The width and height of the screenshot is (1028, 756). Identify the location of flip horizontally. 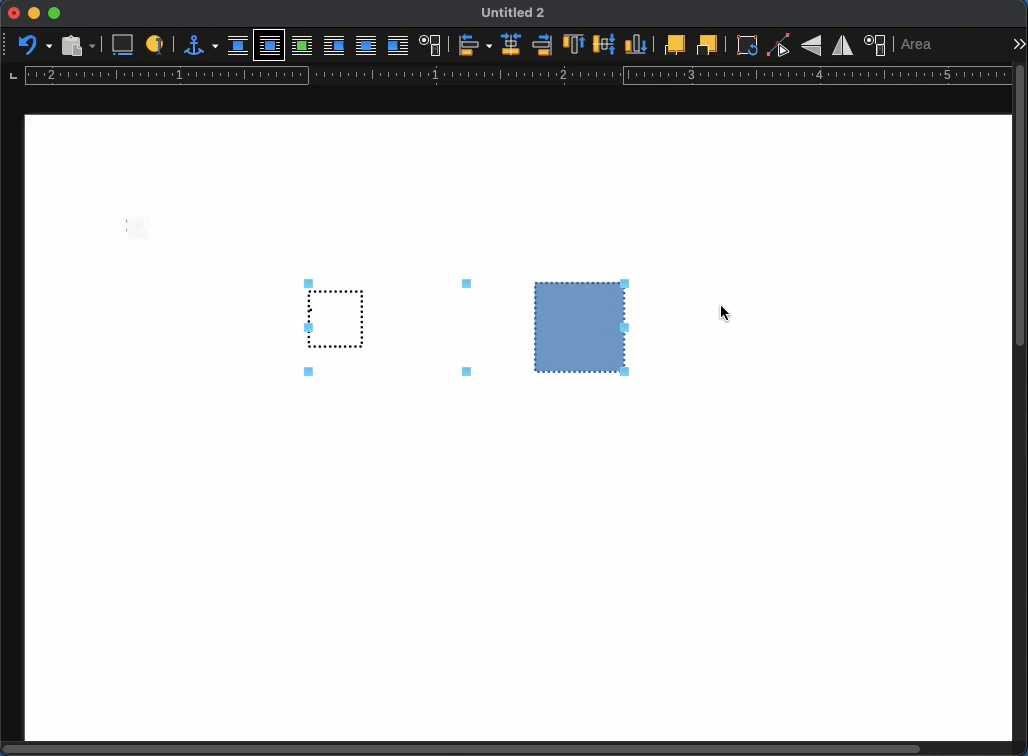
(842, 47).